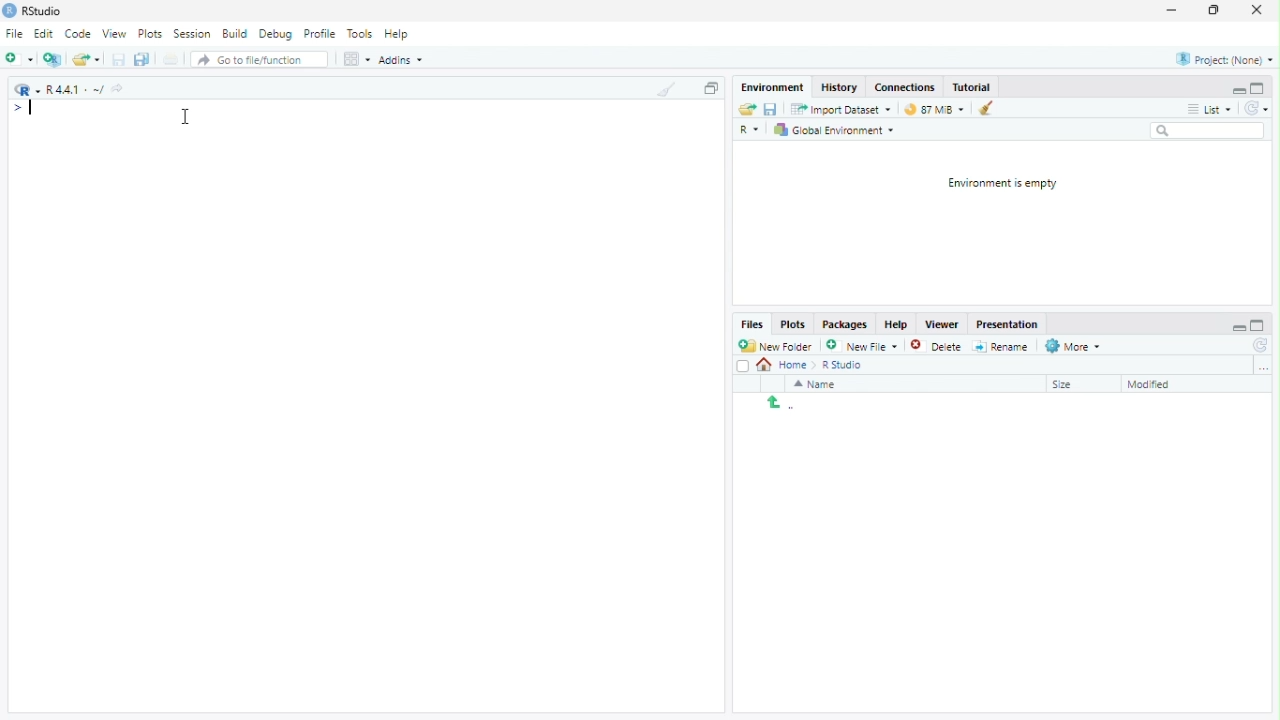 Image resolution: width=1280 pixels, height=720 pixels. Describe the element at coordinates (119, 59) in the screenshot. I see `Save` at that location.